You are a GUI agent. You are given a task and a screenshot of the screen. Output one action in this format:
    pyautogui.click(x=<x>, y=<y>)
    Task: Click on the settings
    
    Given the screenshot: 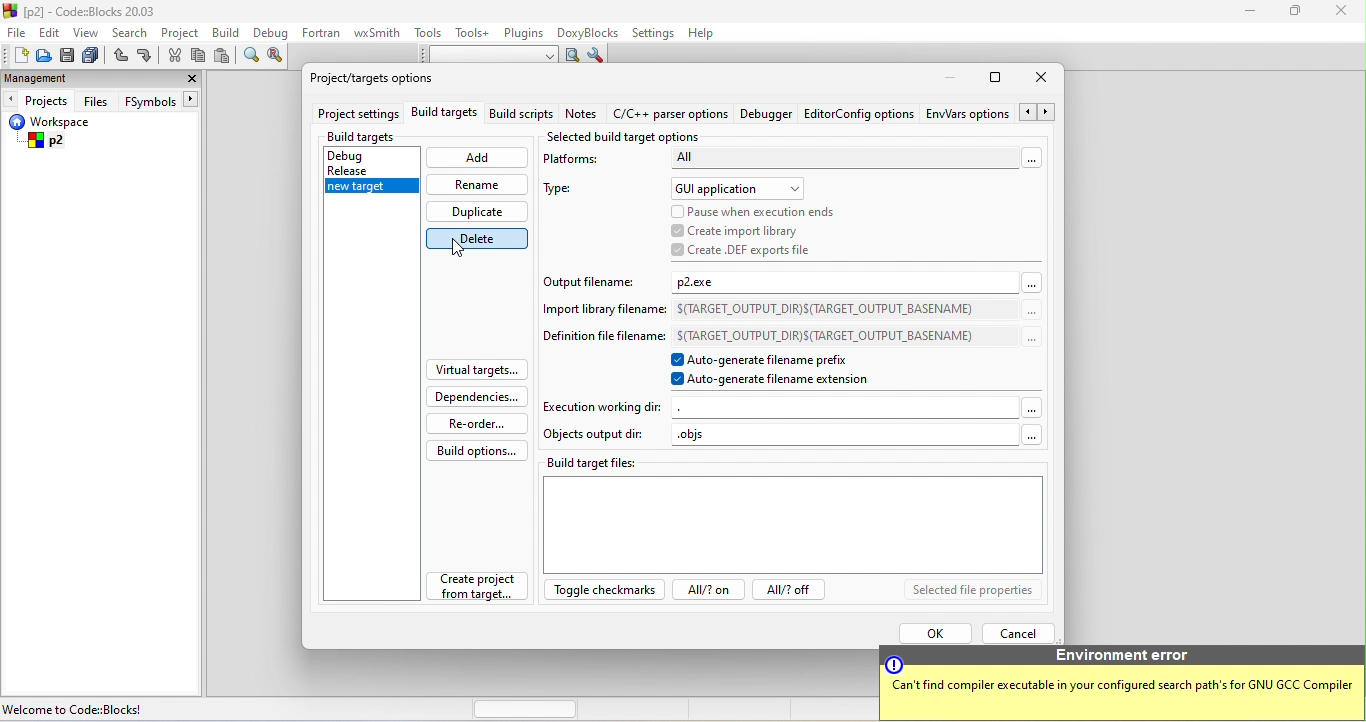 What is the action you would take?
    pyautogui.click(x=655, y=32)
    